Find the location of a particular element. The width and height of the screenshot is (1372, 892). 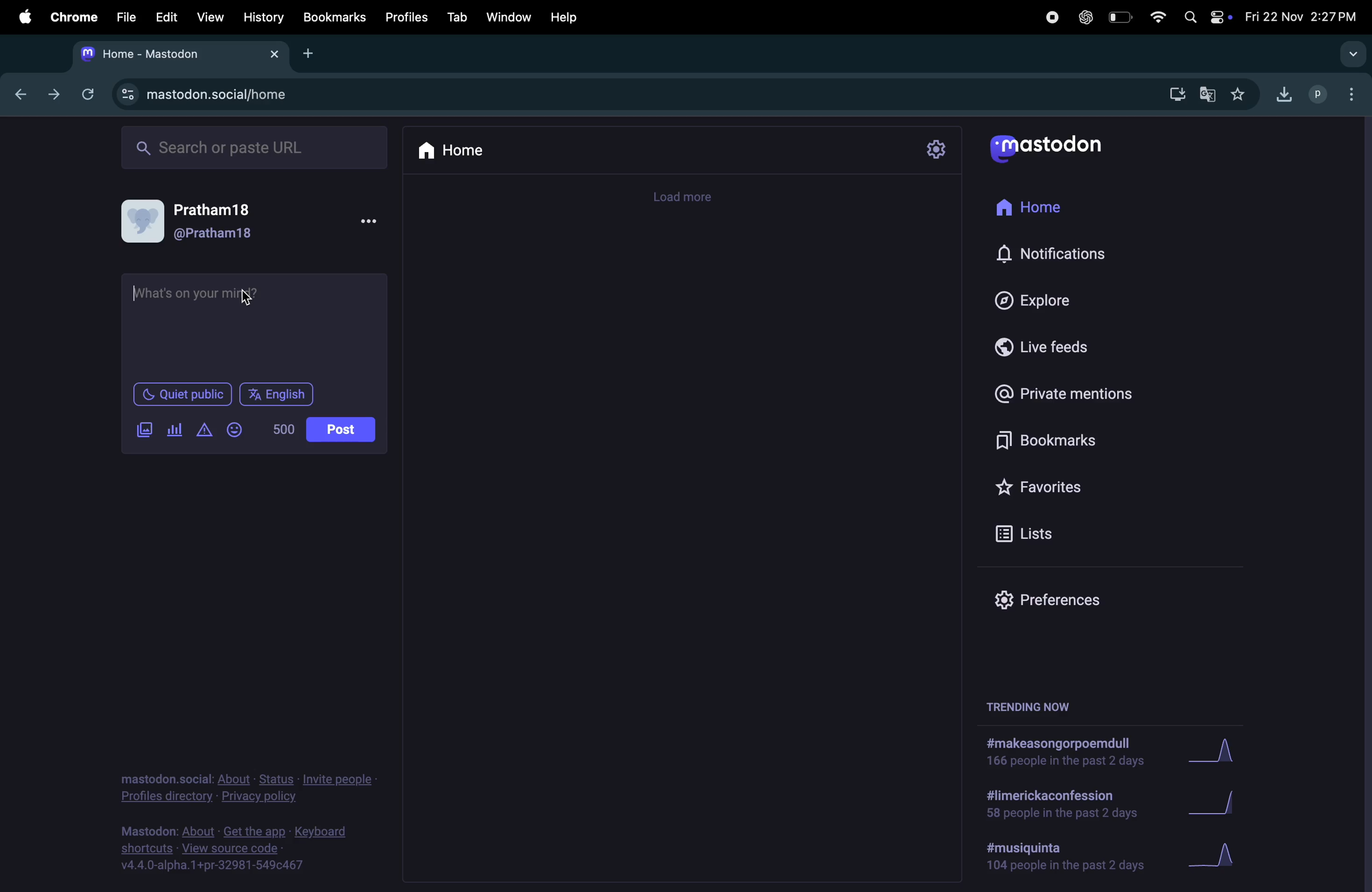

limerick confession is located at coordinates (1071, 801).